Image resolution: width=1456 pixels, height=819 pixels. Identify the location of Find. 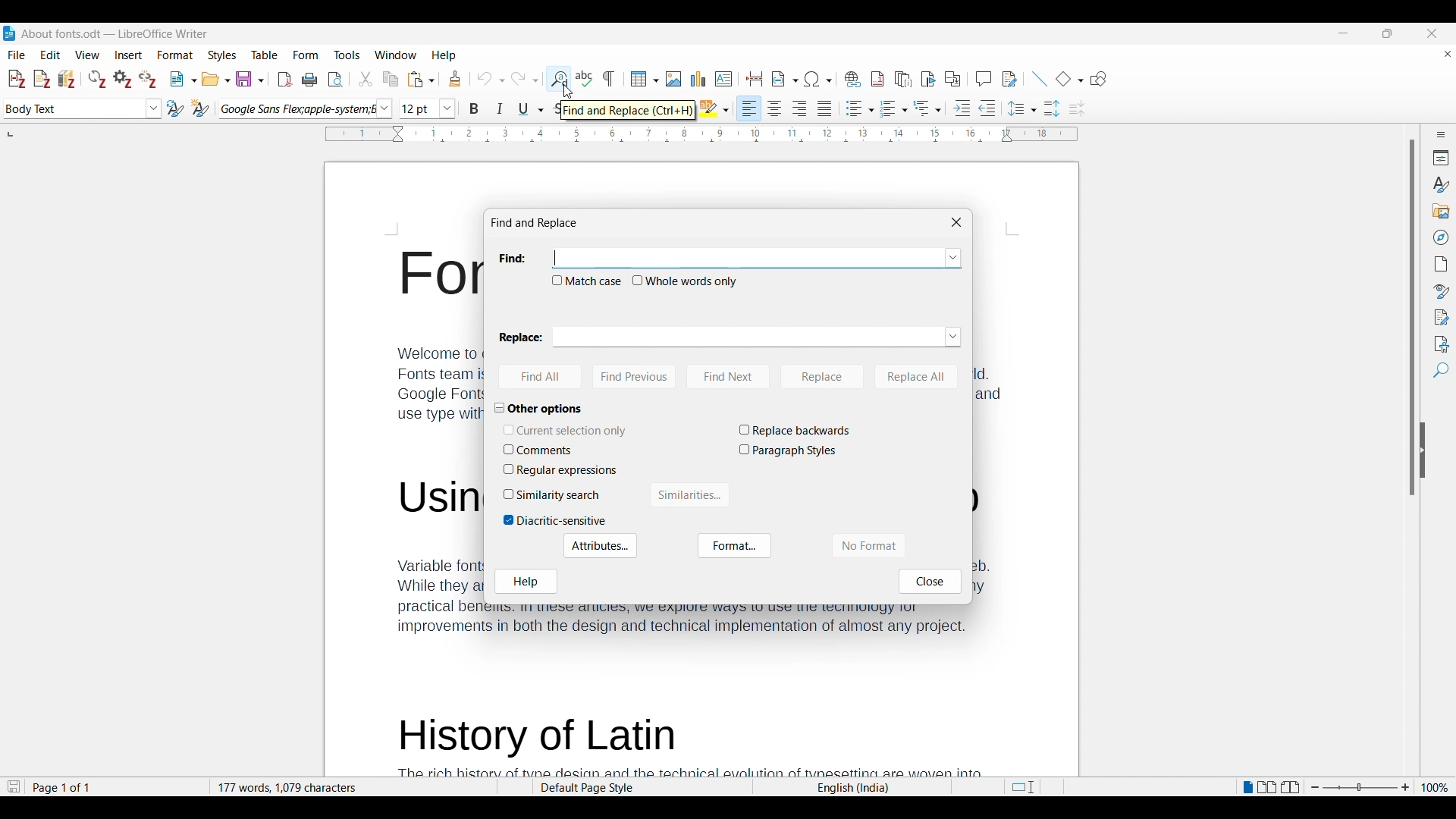
(1440, 371).